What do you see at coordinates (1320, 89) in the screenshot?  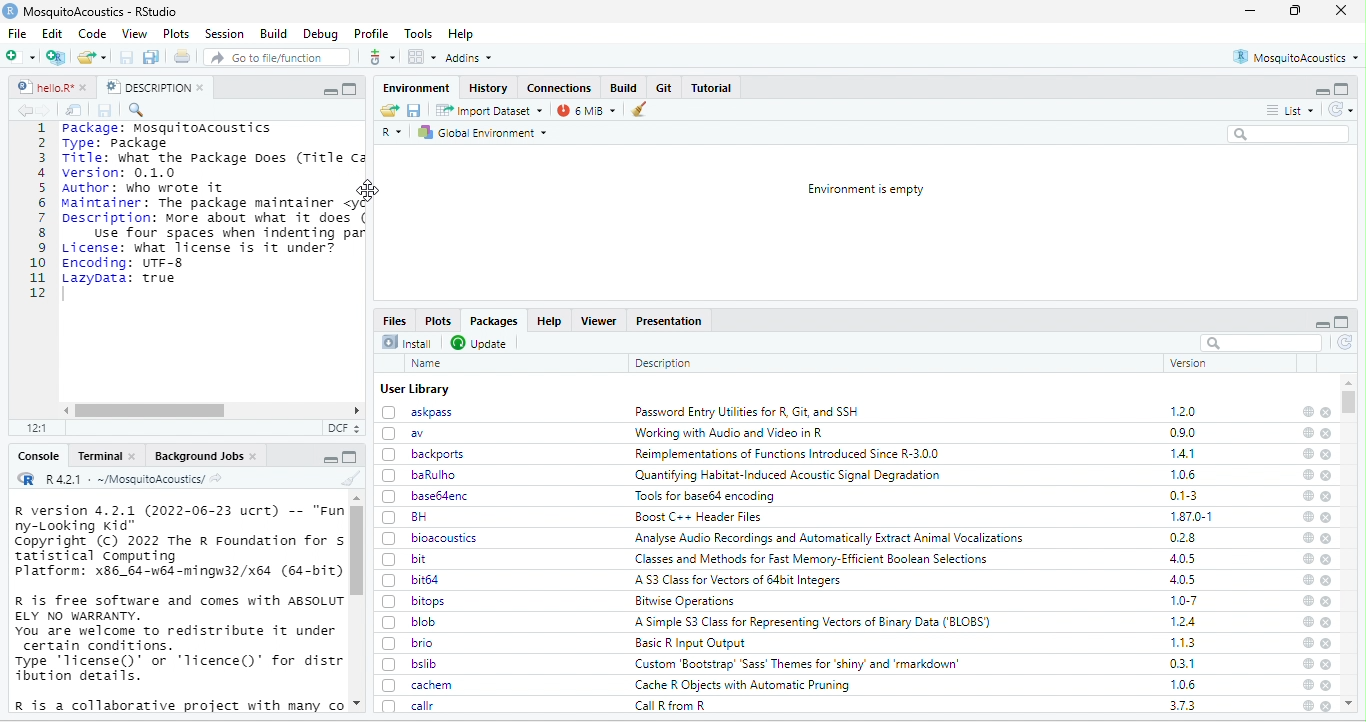 I see `minimize` at bounding box center [1320, 89].